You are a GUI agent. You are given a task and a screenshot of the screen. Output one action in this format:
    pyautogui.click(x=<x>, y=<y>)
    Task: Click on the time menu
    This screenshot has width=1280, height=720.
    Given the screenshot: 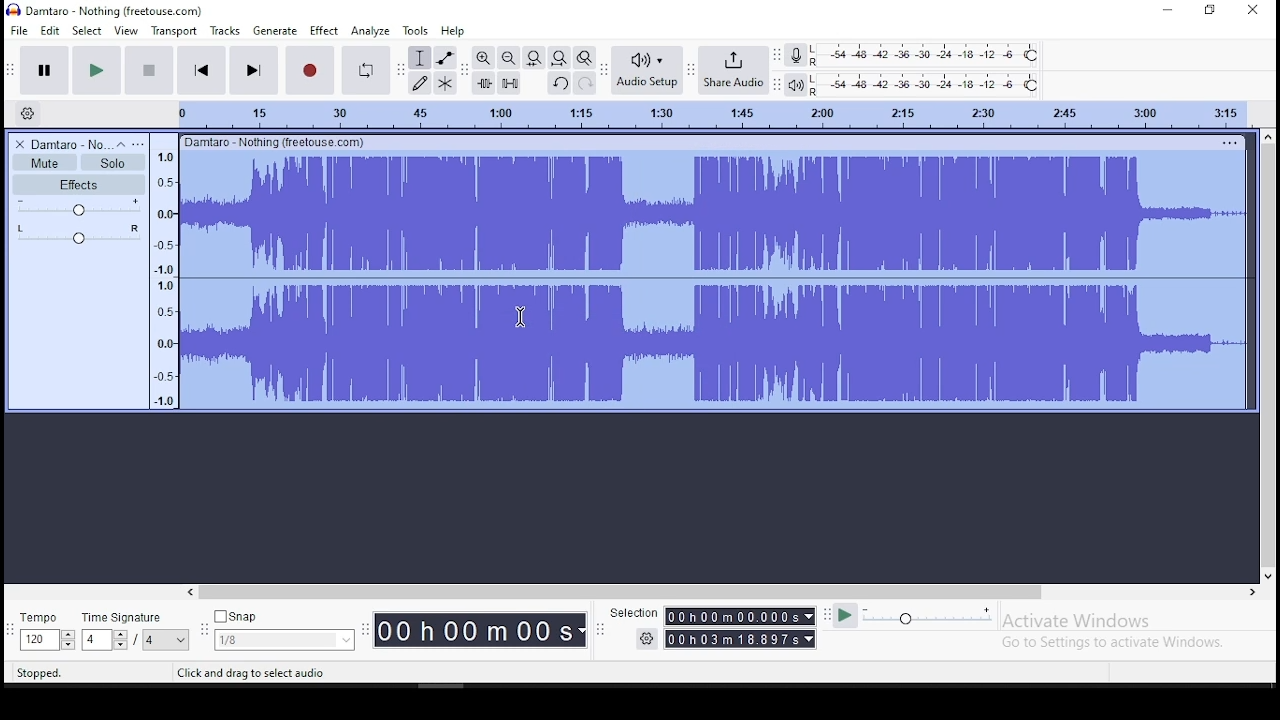 What is the action you would take?
    pyautogui.click(x=741, y=617)
    